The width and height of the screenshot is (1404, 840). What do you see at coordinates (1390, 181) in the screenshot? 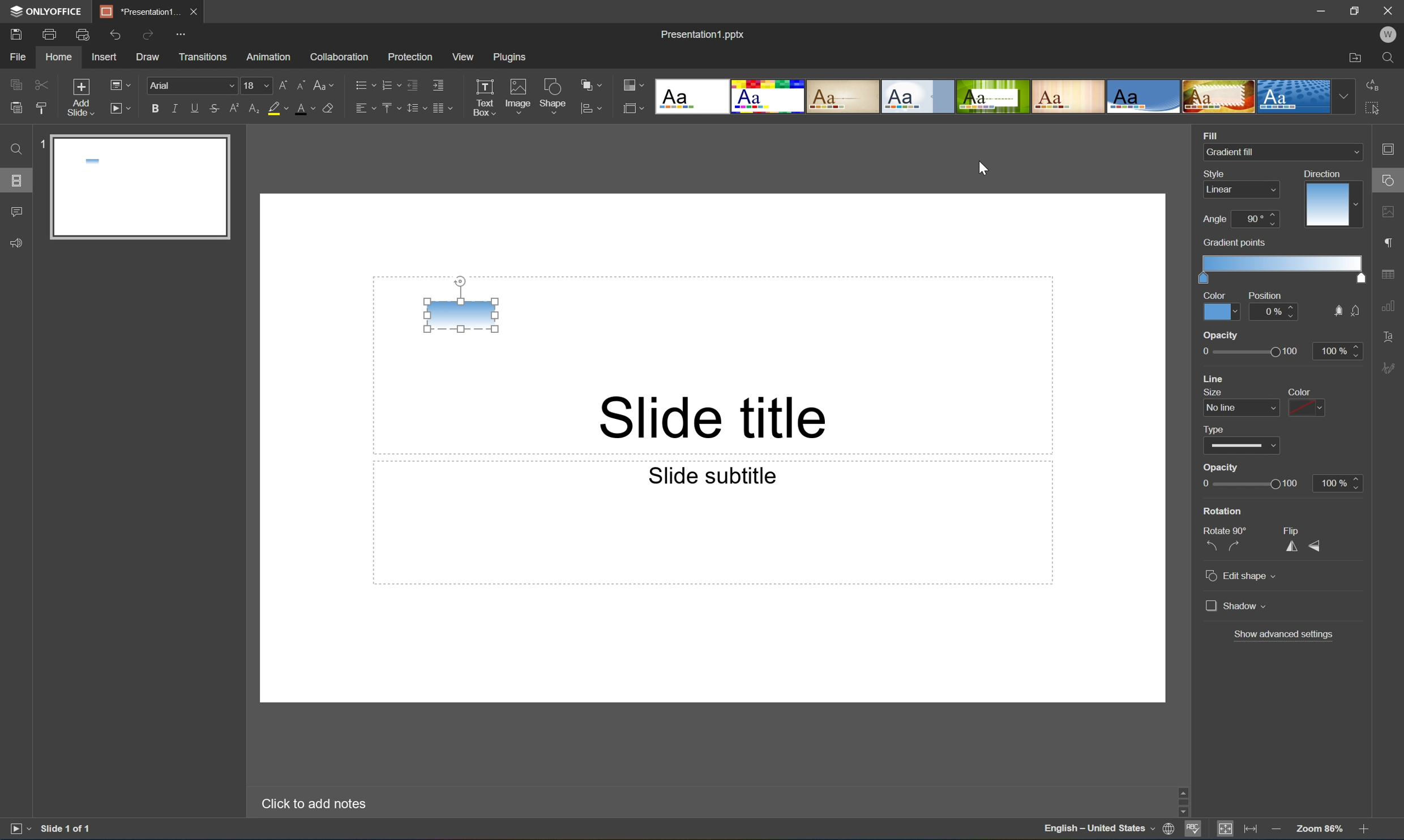
I see `shape settings` at bounding box center [1390, 181].